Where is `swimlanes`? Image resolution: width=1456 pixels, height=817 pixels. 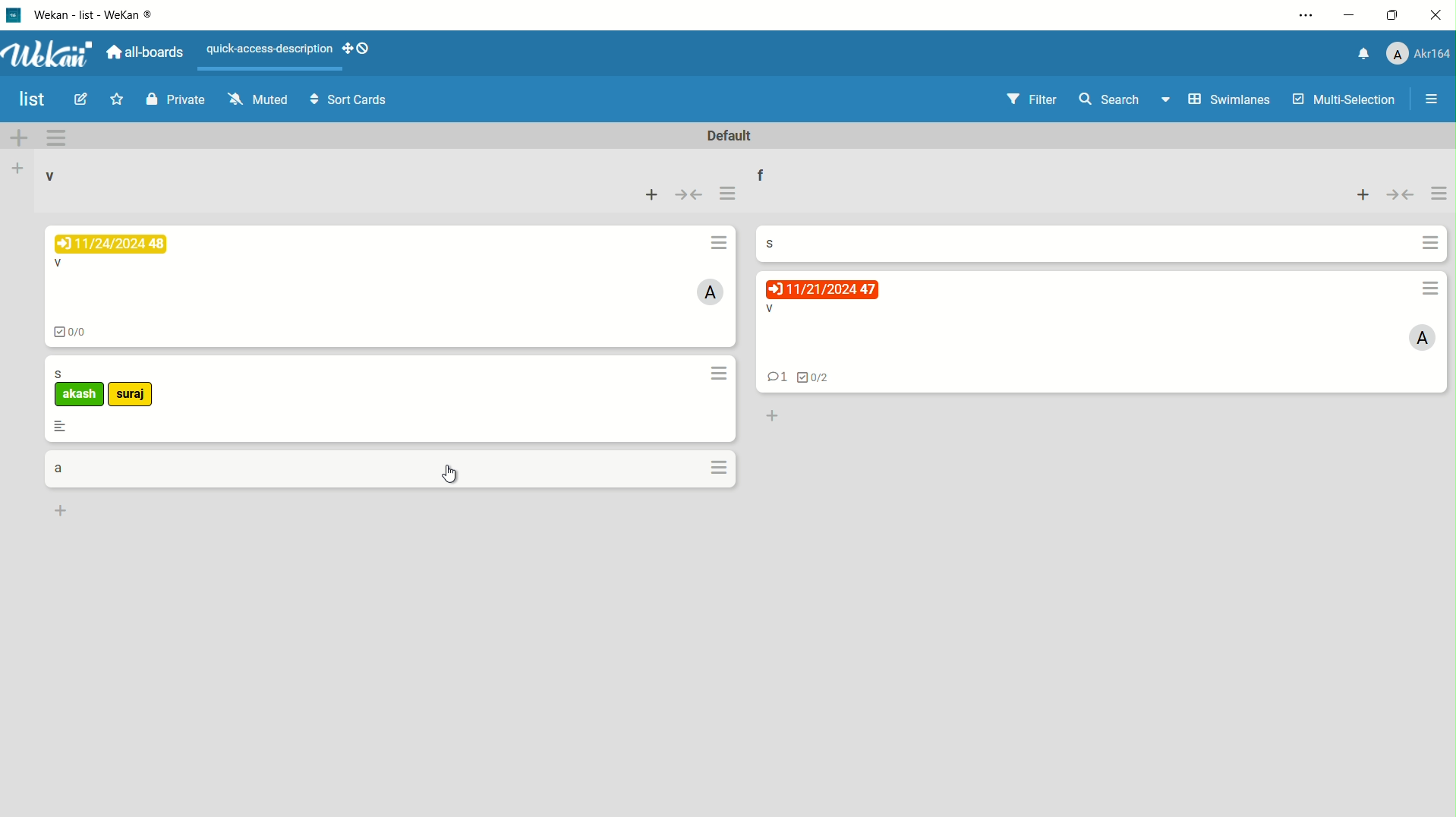 swimlanes is located at coordinates (1212, 99).